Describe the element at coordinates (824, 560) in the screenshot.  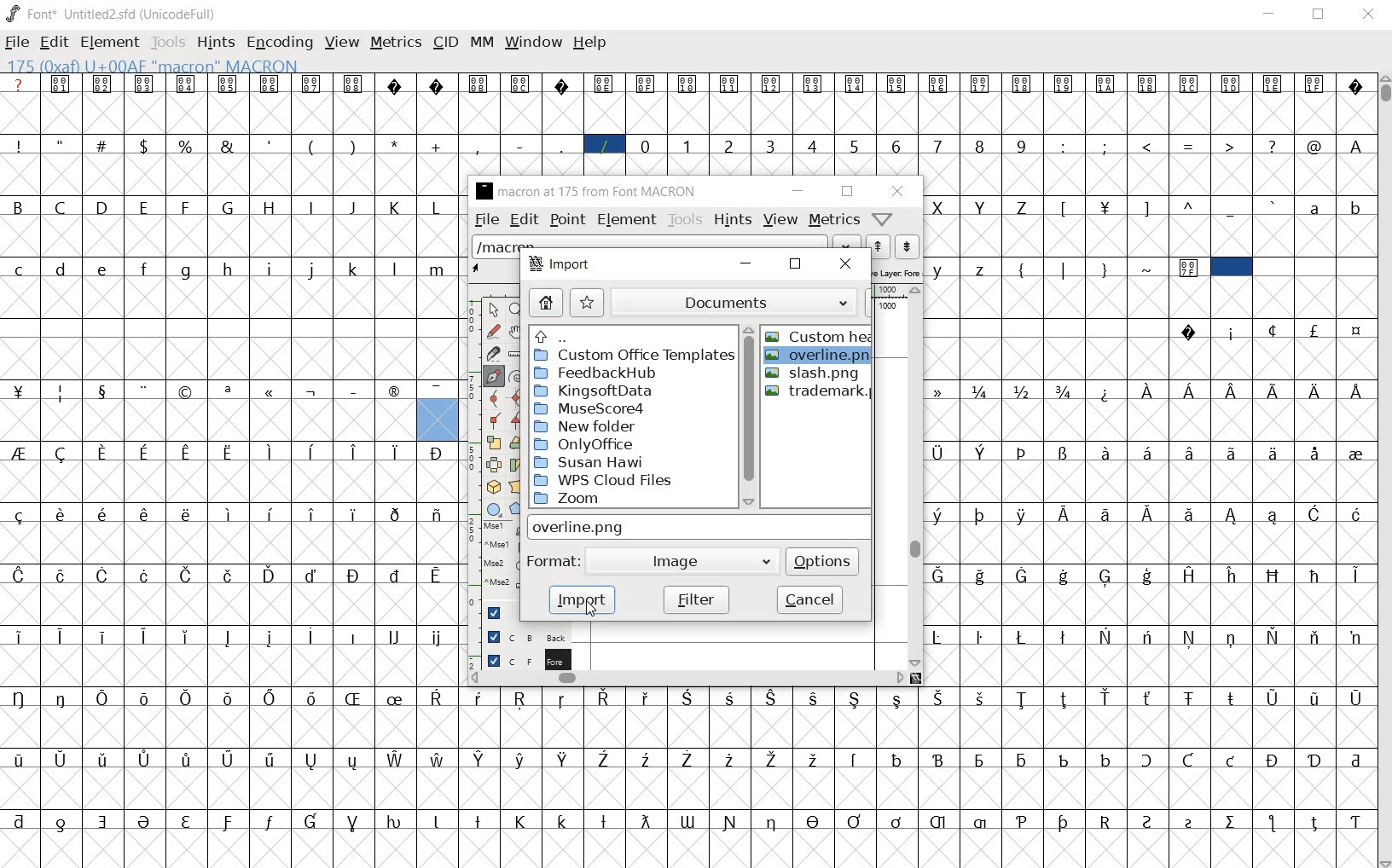
I see `options` at that location.